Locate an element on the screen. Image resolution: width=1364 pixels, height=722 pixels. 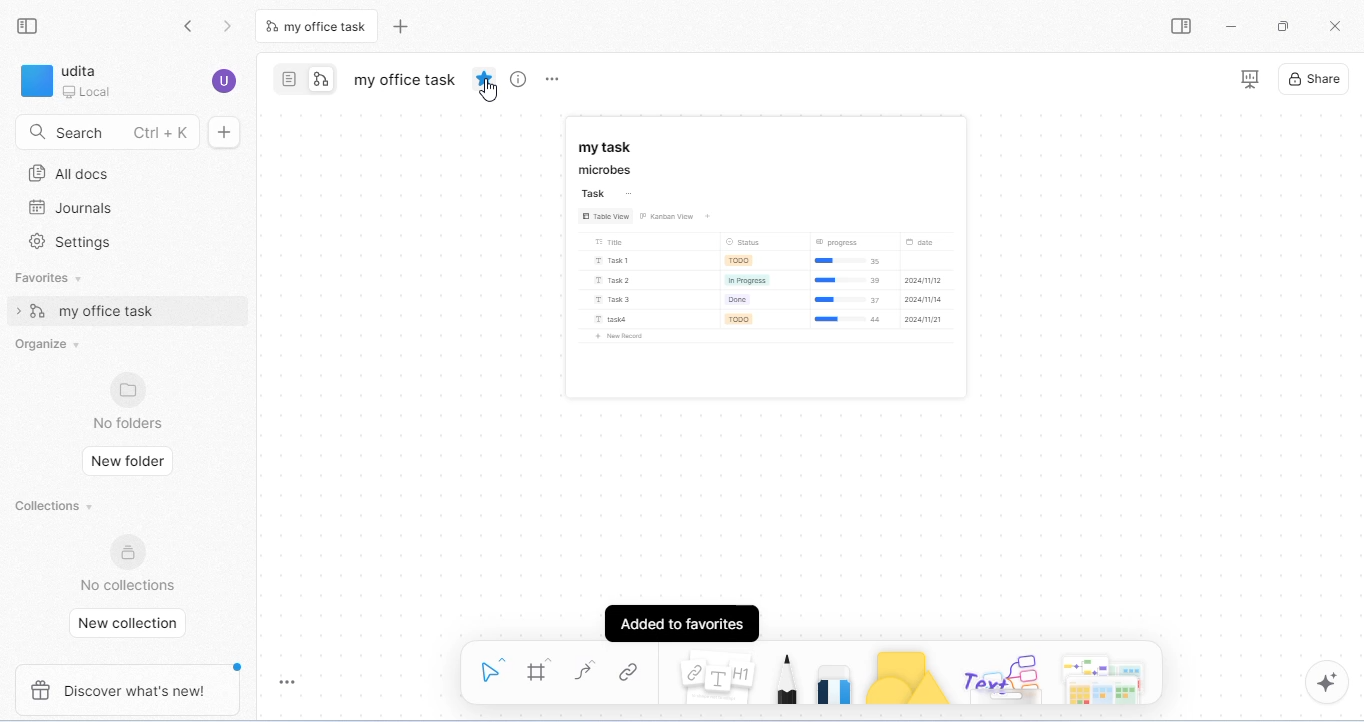
maximize is located at coordinates (1284, 26).